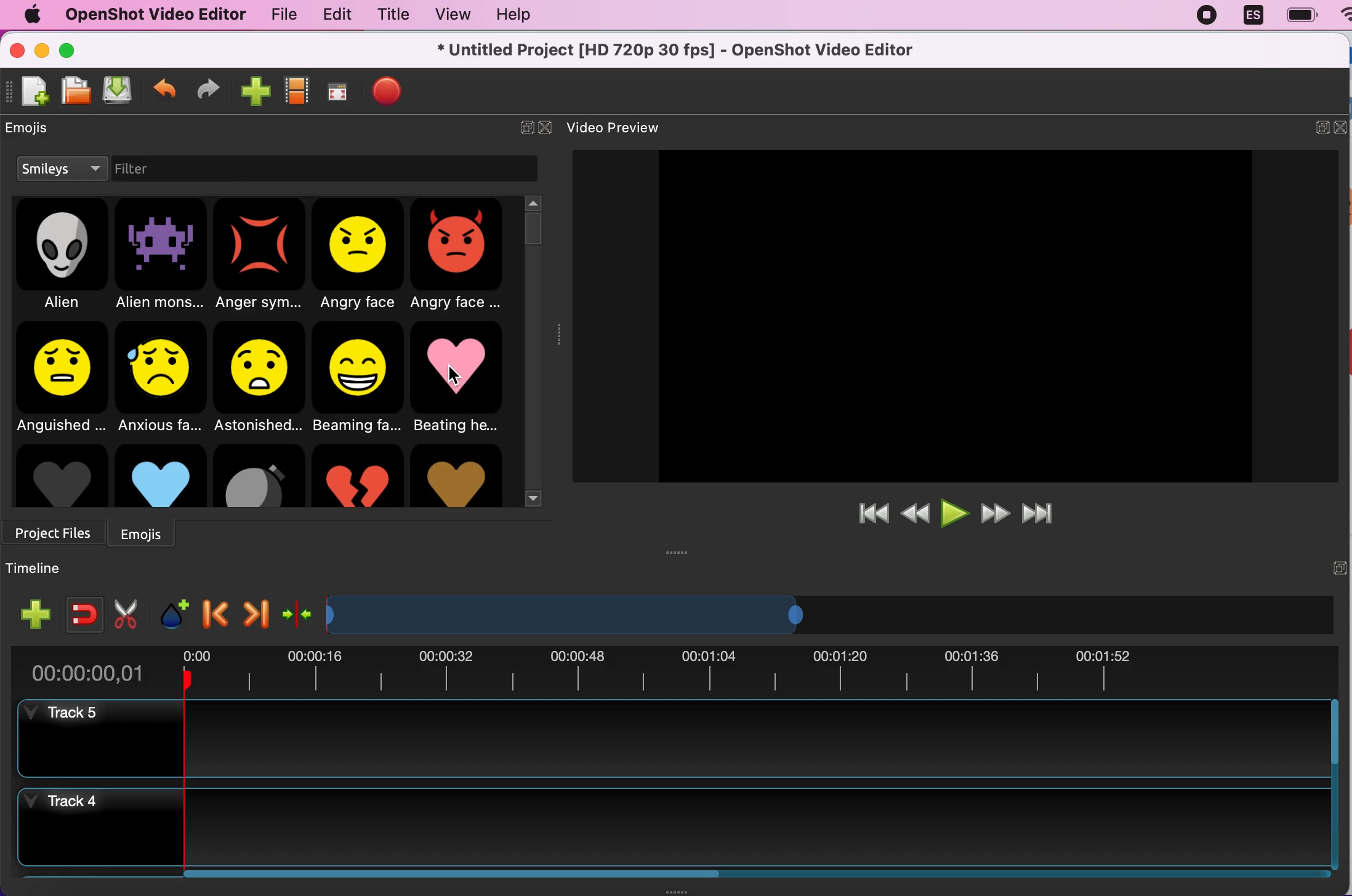  Describe the element at coordinates (1048, 509) in the screenshot. I see `jump to end` at that location.